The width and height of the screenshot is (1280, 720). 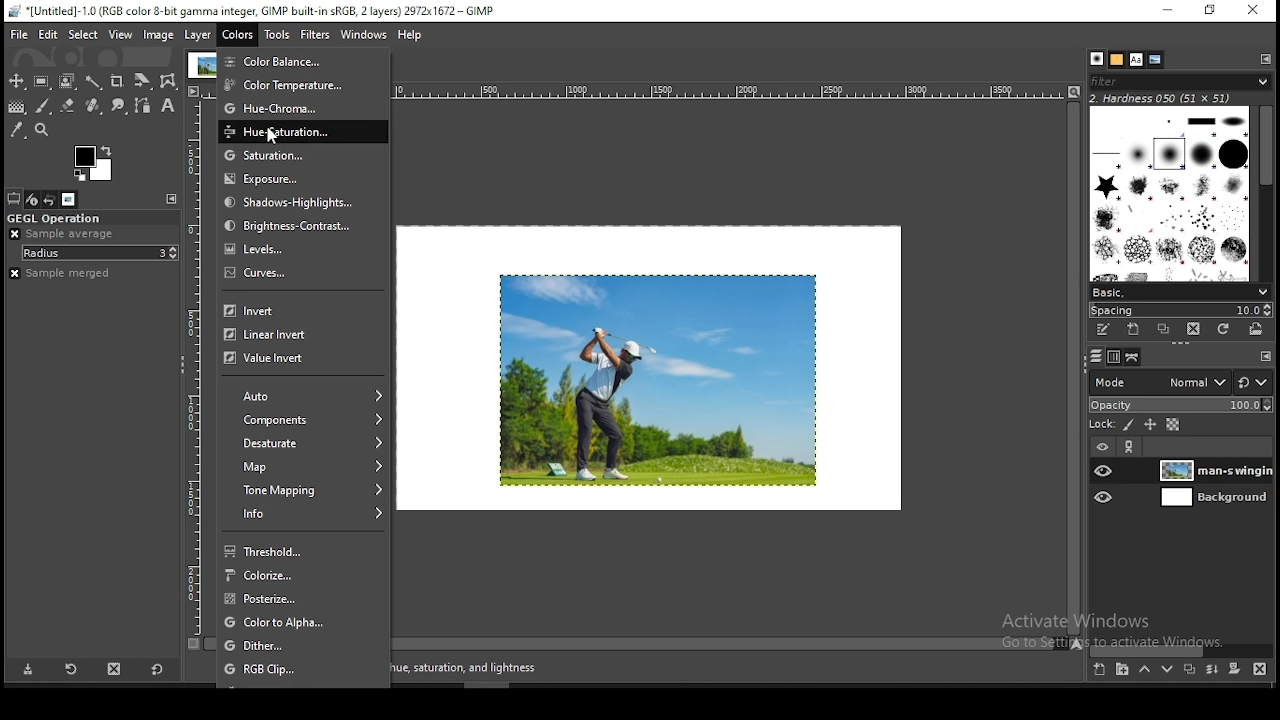 What do you see at coordinates (68, 106) in the screenshot?
I see `eraser tool` at bounding box center [68, 106].